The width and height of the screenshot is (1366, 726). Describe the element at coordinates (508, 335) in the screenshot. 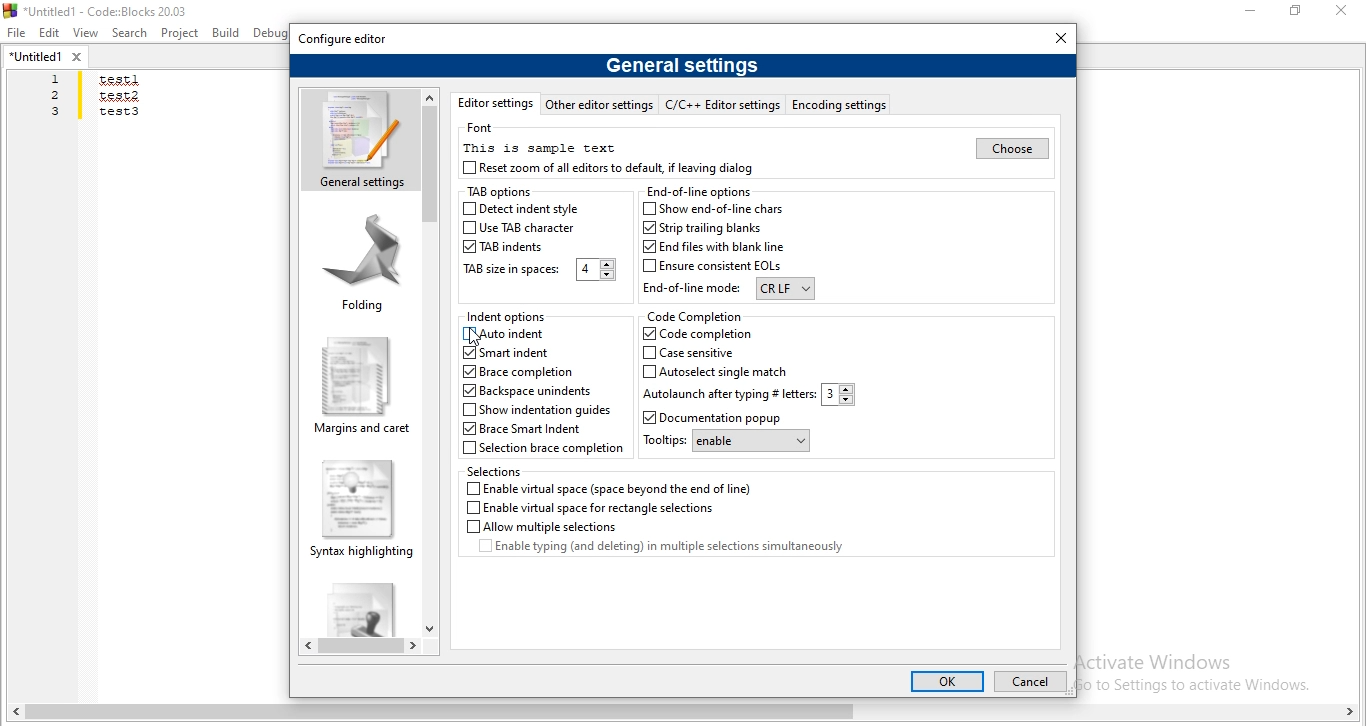

I see `Auto indent` at that location.